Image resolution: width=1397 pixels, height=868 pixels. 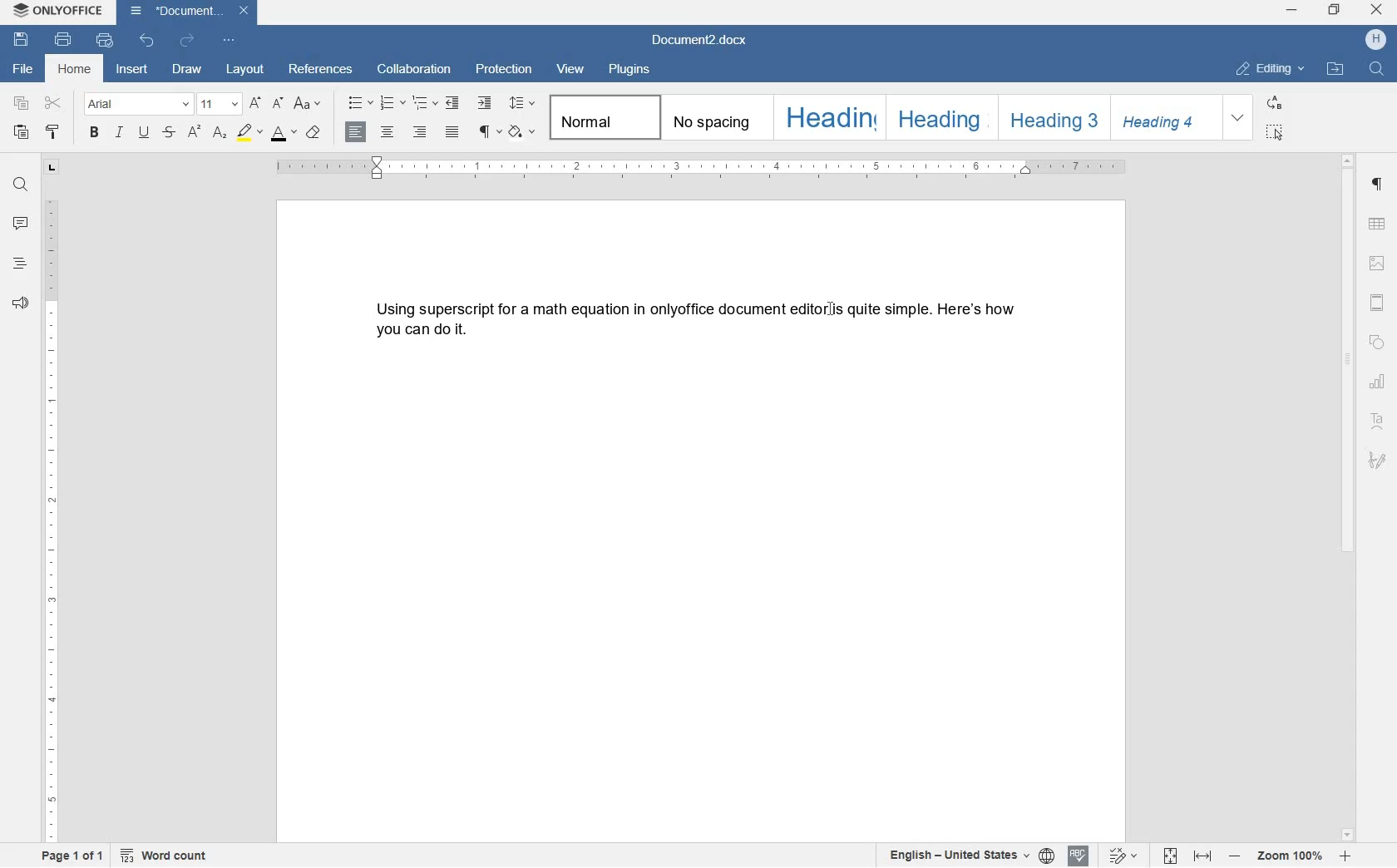 I want to click on paragraph line spacing, so click(x=521, y=102).